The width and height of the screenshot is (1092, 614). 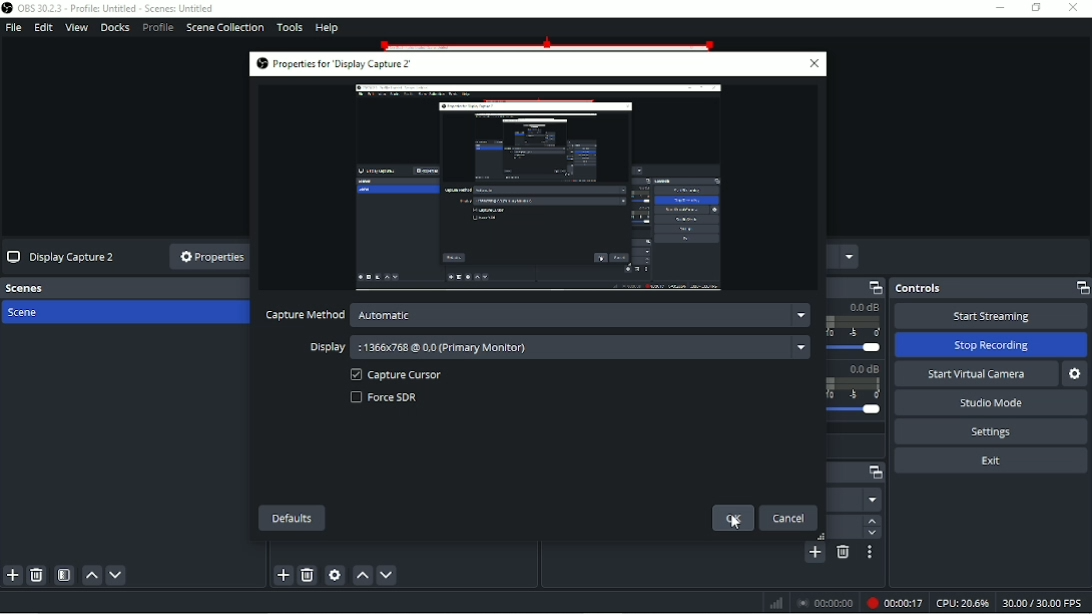 I want to click on Open scene filters, so click(x=64, y=575).